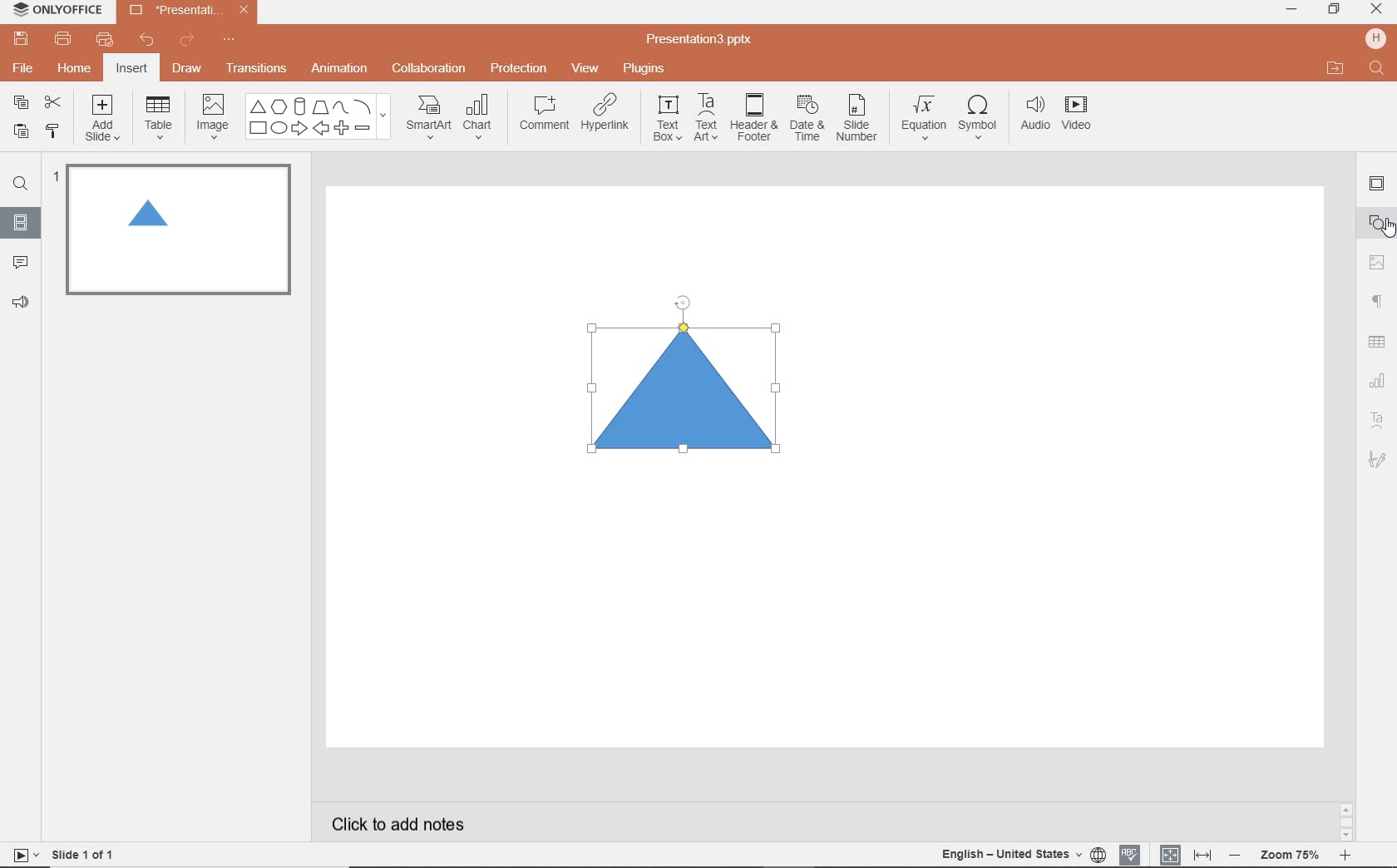  Describe the element at coordinates (17, 132) in the screenshot. I see `PASTE` at that location.